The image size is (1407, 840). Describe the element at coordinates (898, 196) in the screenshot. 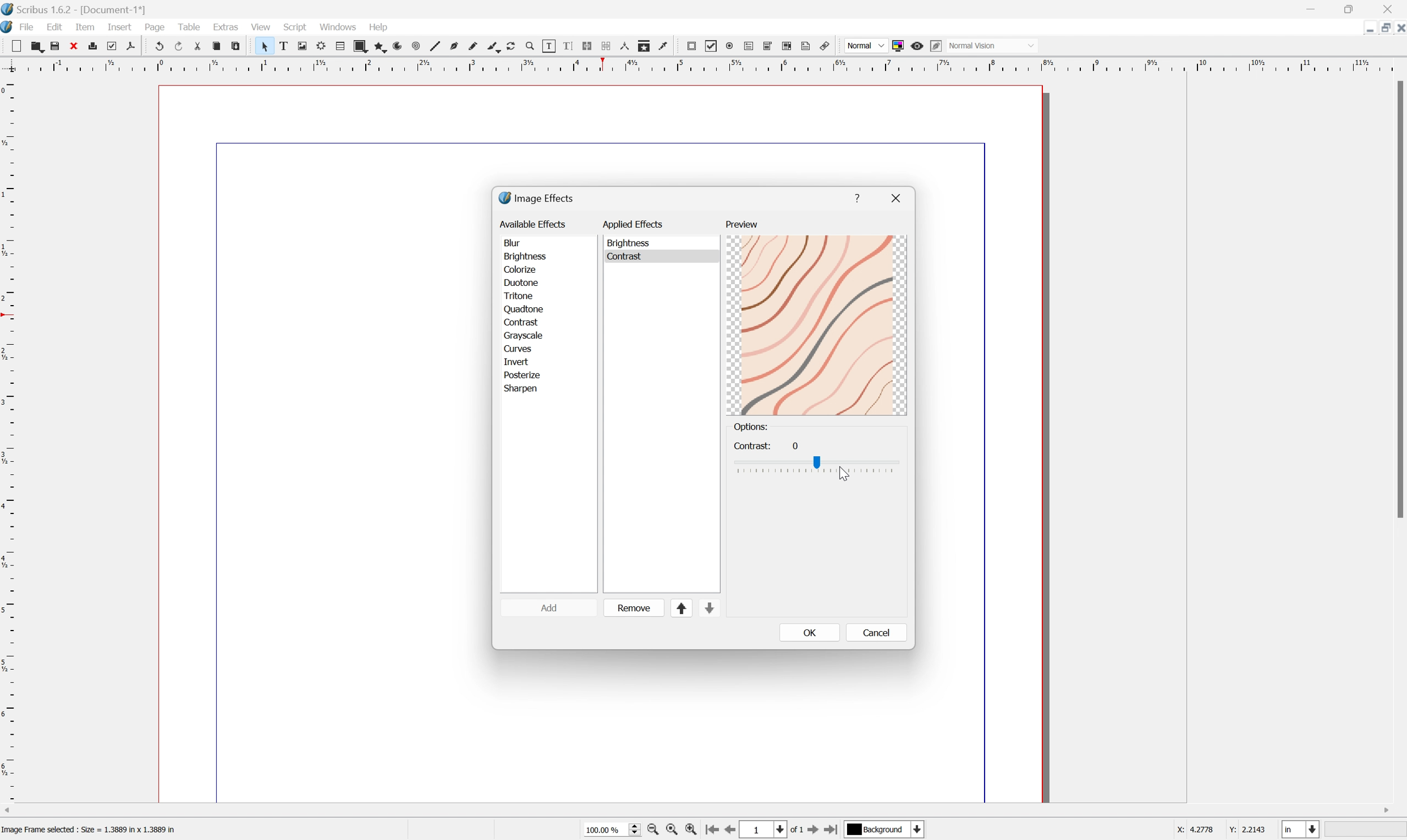

I see `close` at that location.